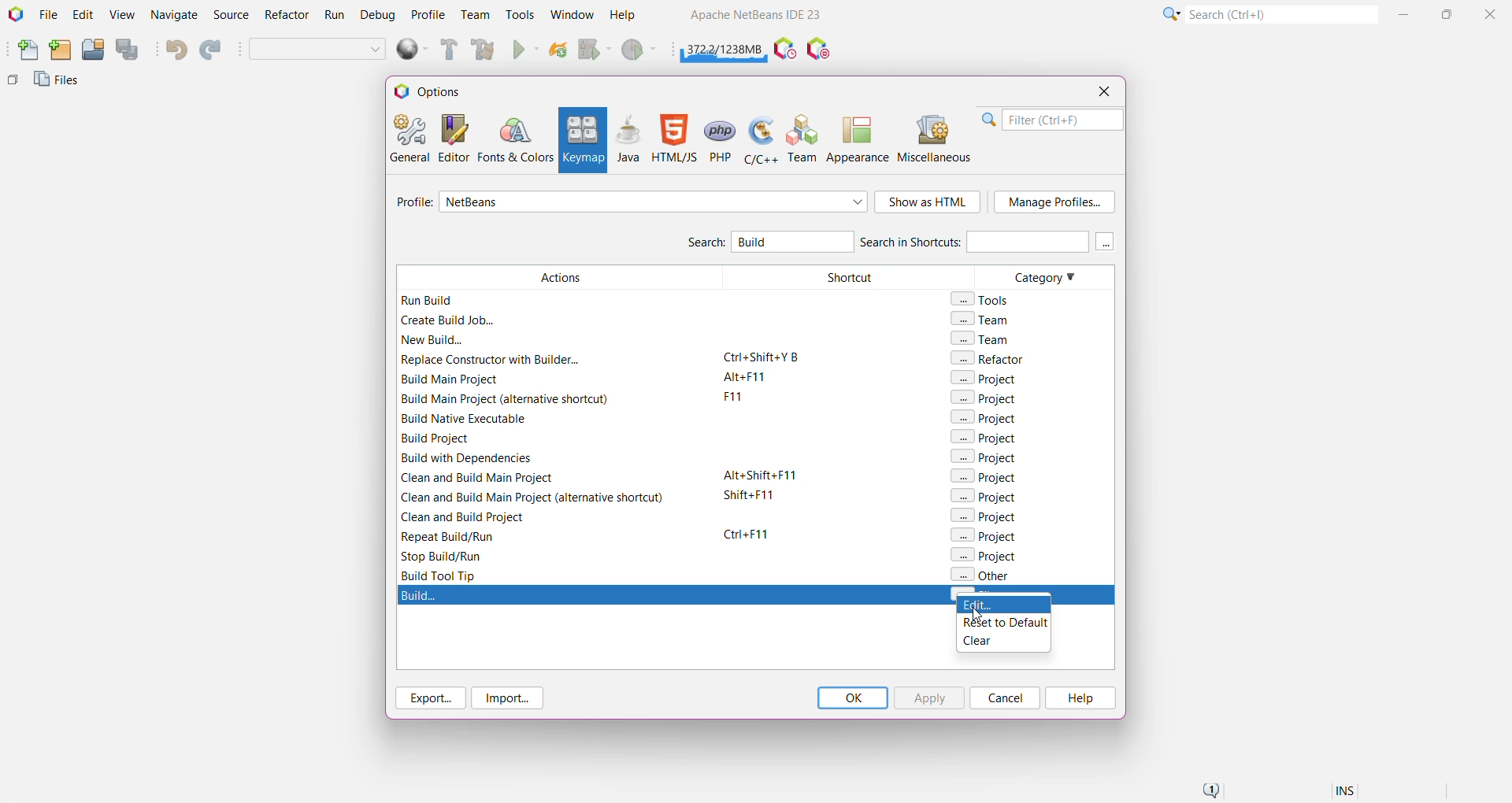 This screenshot has height=803, width=1512. I want to click on Undo, so click(175, 50).